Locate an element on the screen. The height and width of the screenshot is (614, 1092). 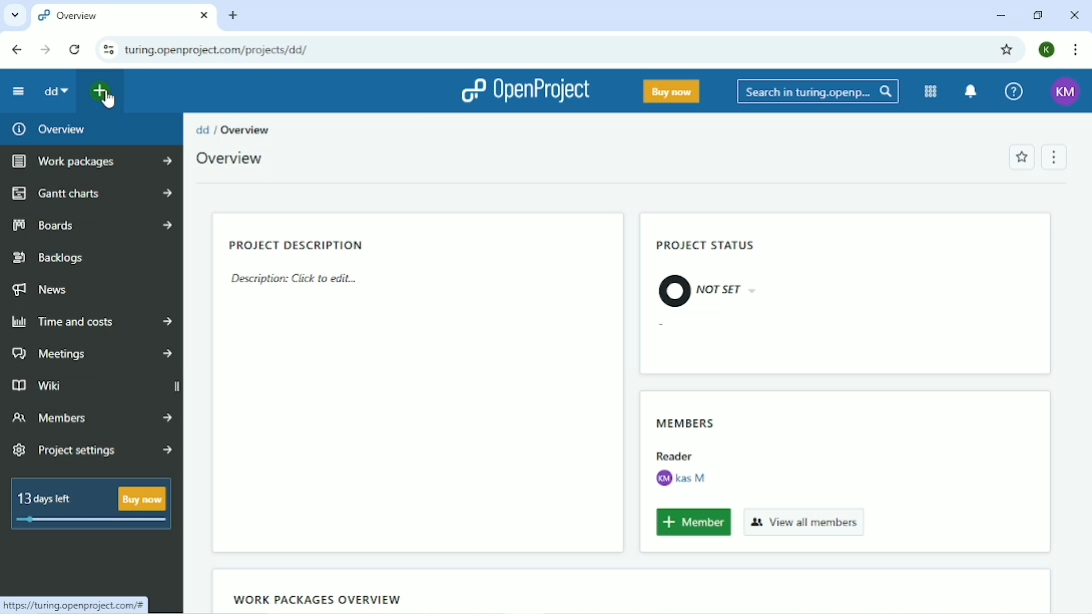
Restore down is located at coordinates (1039, 15).